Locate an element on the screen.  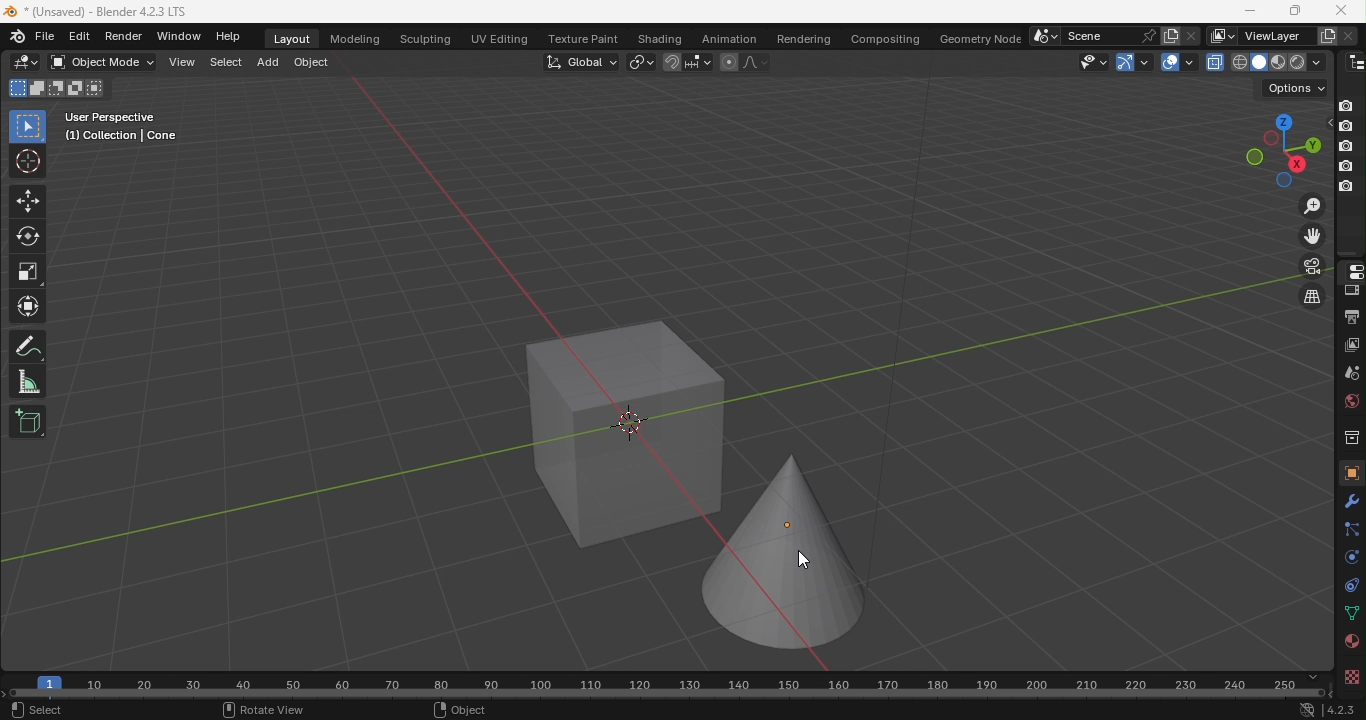
Rotate the view is located at coordinates (1270, 139).